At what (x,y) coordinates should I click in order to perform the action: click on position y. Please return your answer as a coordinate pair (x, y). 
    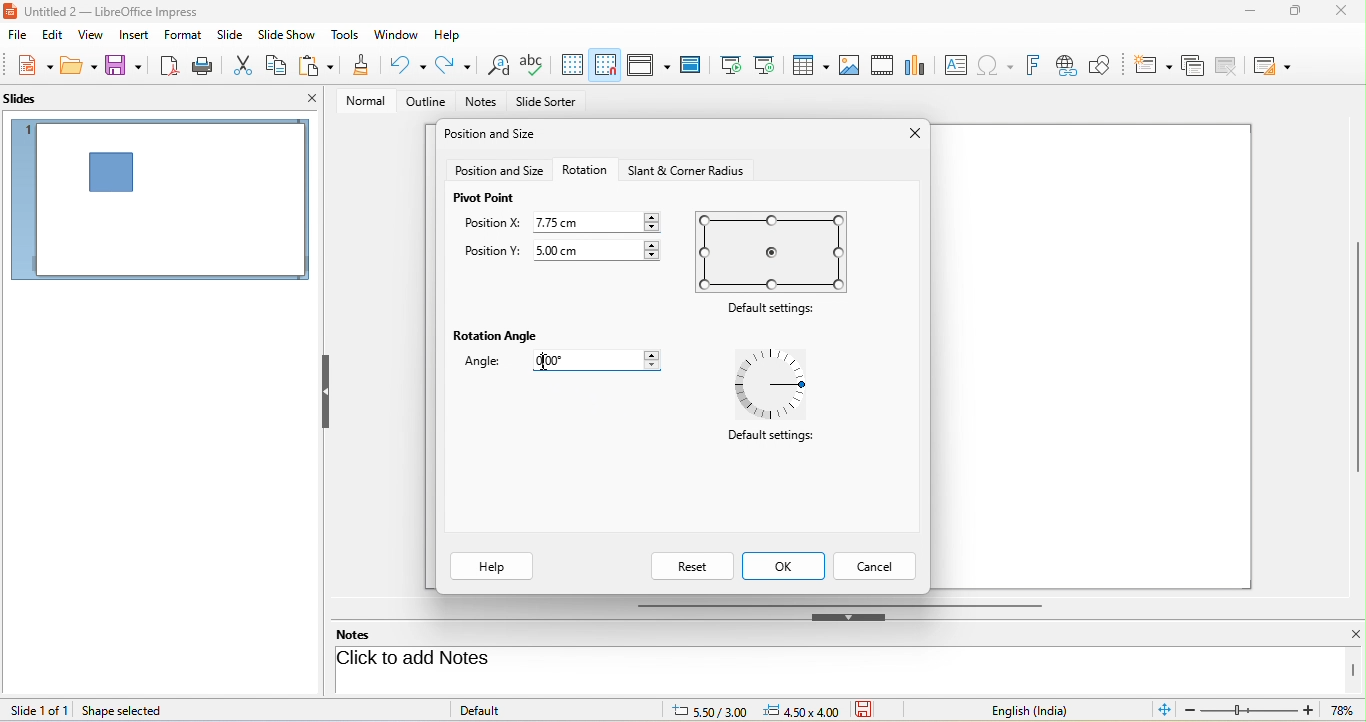
    Looking at the image, I should click on (491, 253).